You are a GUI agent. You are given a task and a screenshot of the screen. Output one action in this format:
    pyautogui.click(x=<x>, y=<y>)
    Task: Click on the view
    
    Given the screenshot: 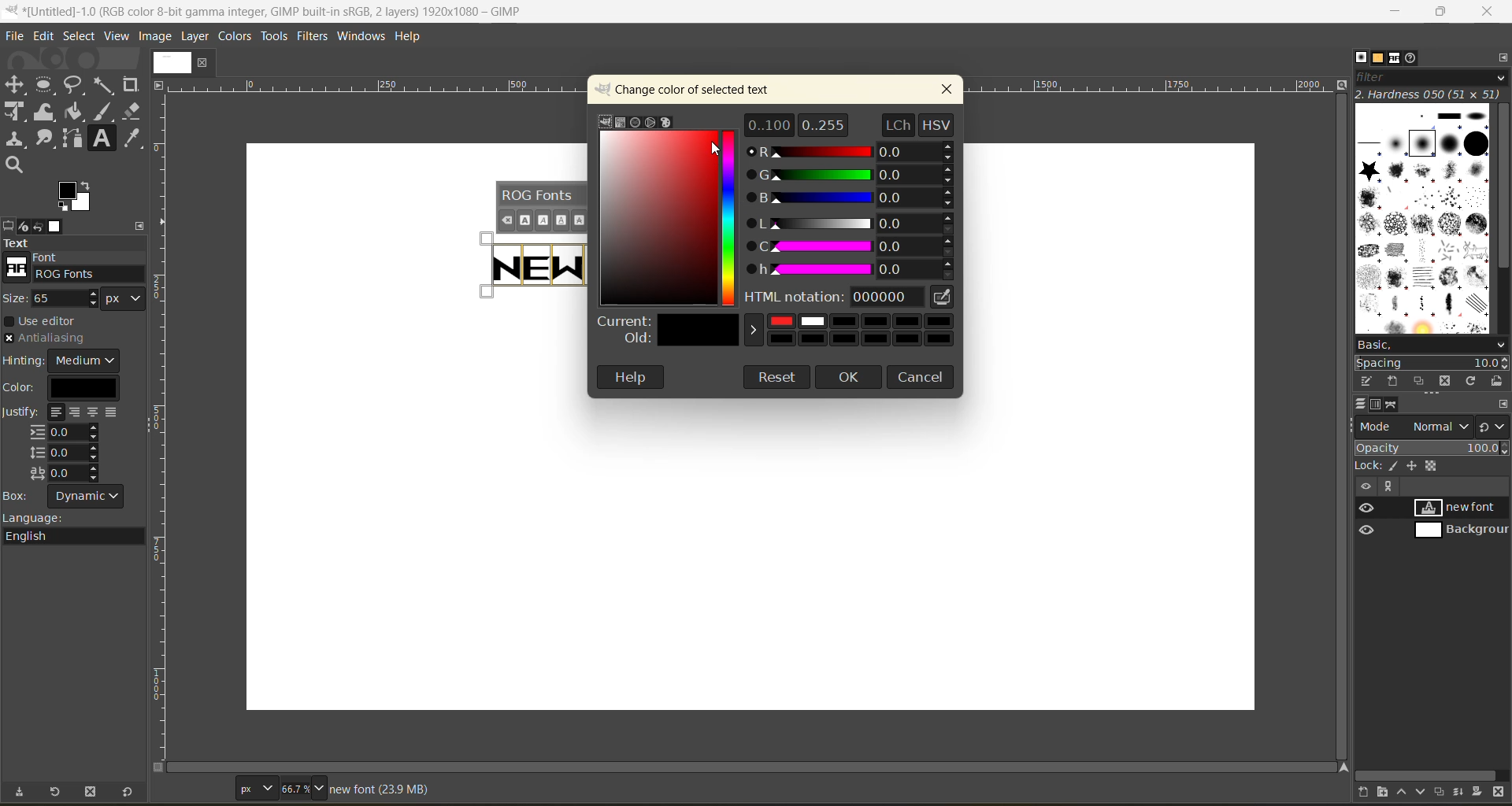 What is the action you would take?
    pyautogui.click(x=114, y=35)
    